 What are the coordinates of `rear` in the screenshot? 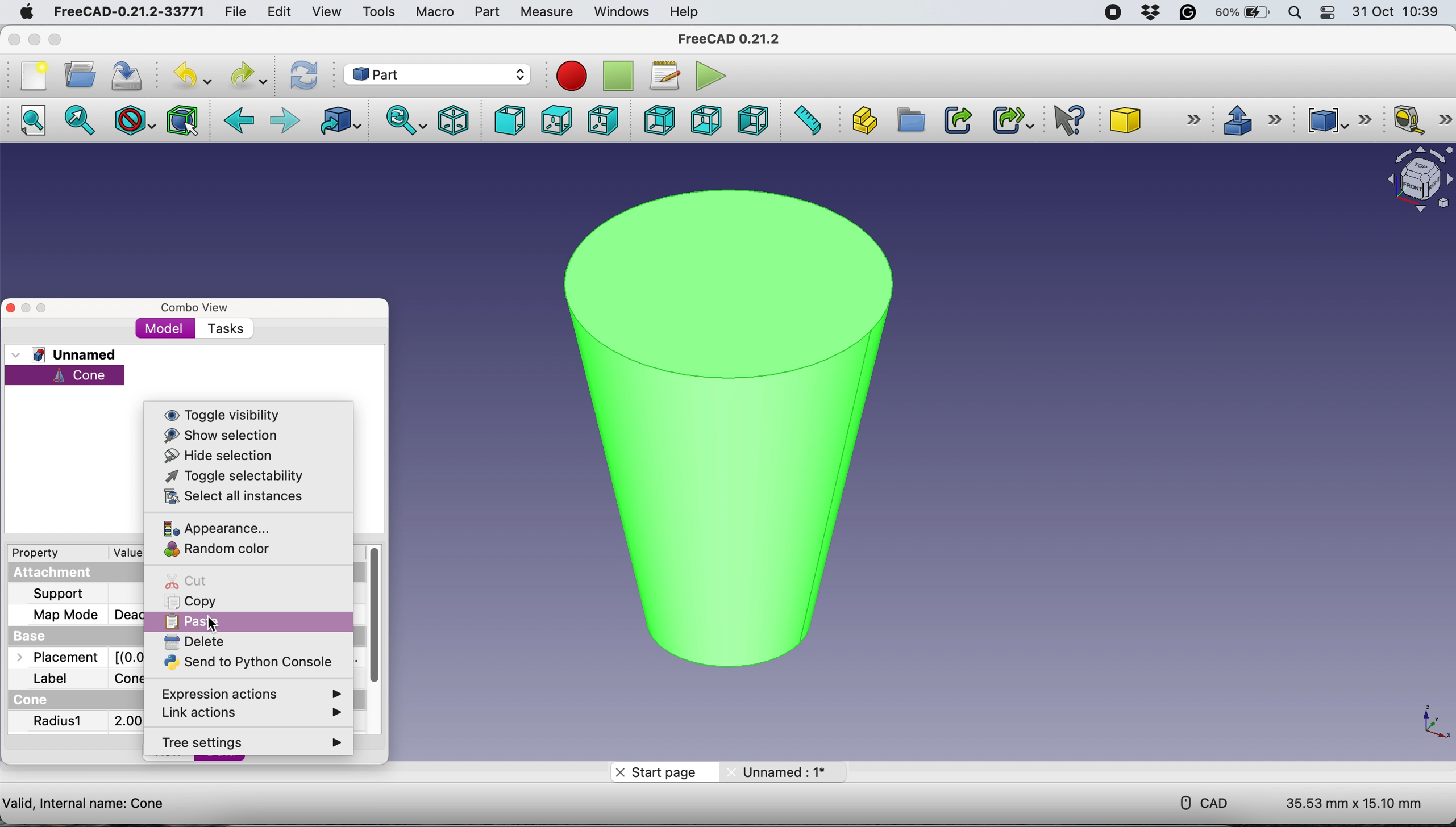 It's located at (658, 122).